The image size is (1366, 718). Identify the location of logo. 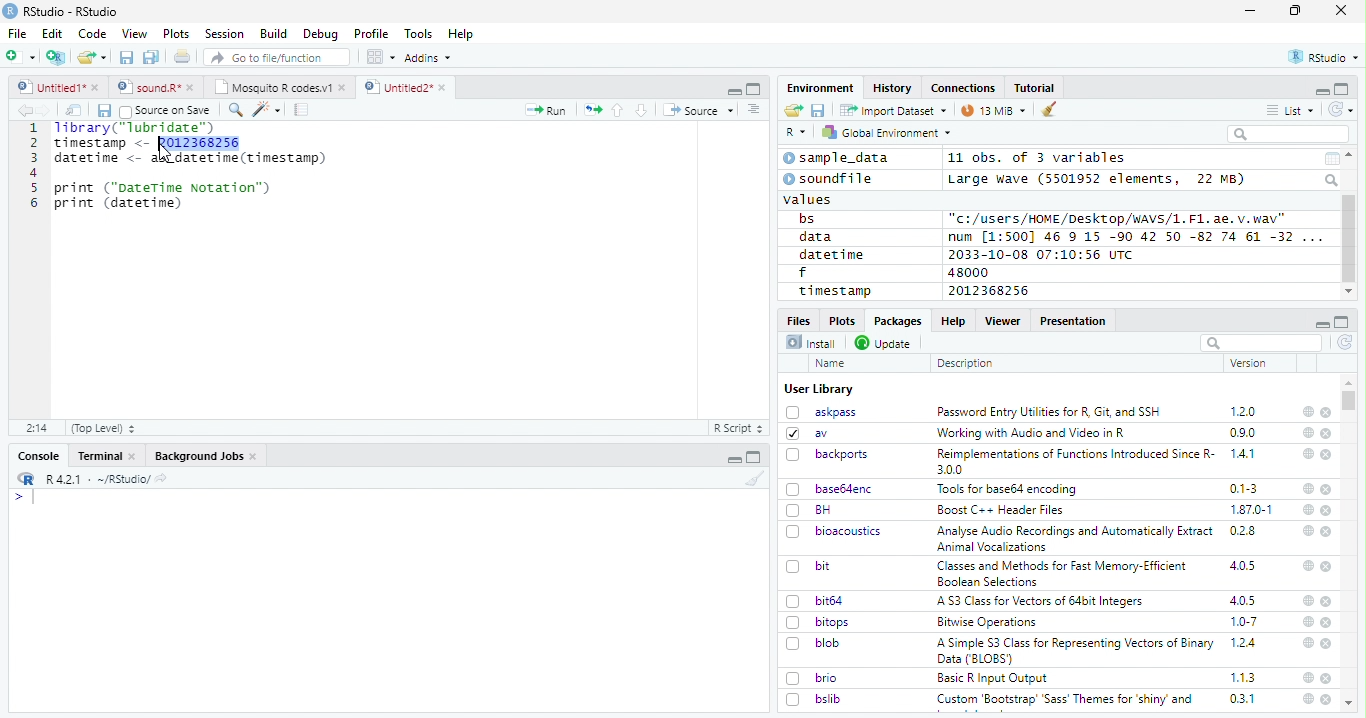
(10, 11).